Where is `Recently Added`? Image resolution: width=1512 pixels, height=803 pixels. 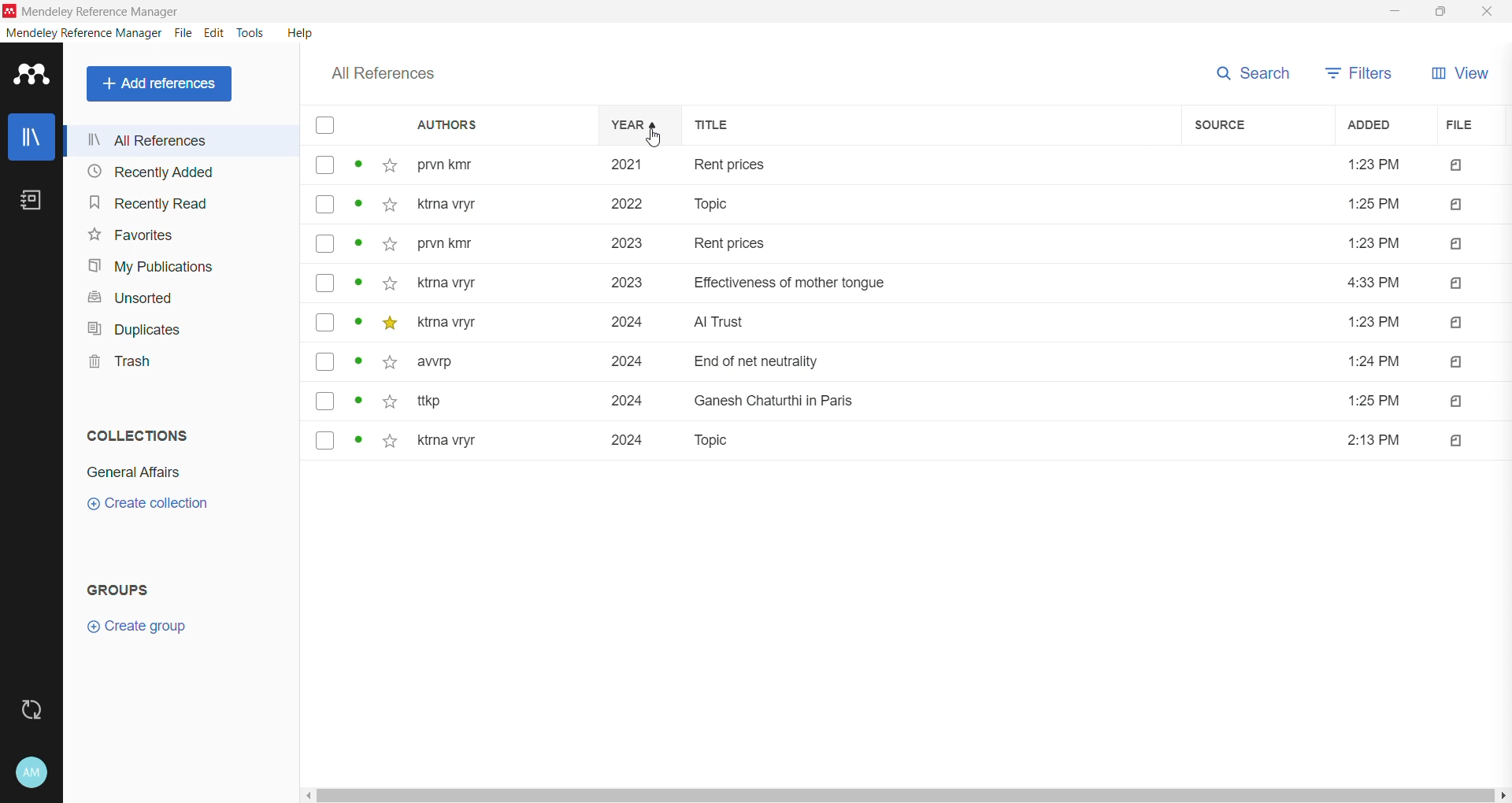 Recently Added is located at coordinates (151, 172).